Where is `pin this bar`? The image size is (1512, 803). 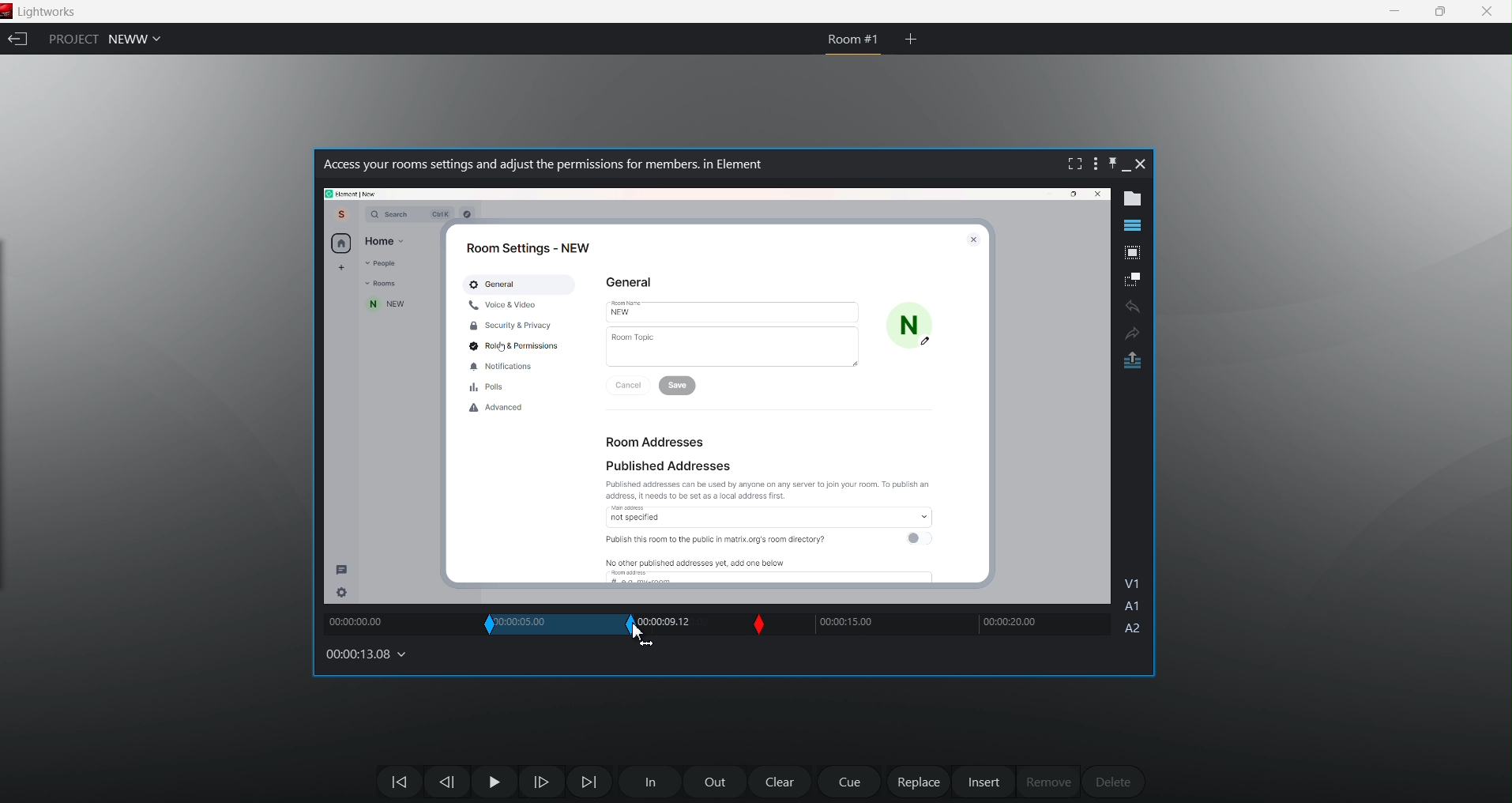
pin this bar is located at coordinates (1111, 160).